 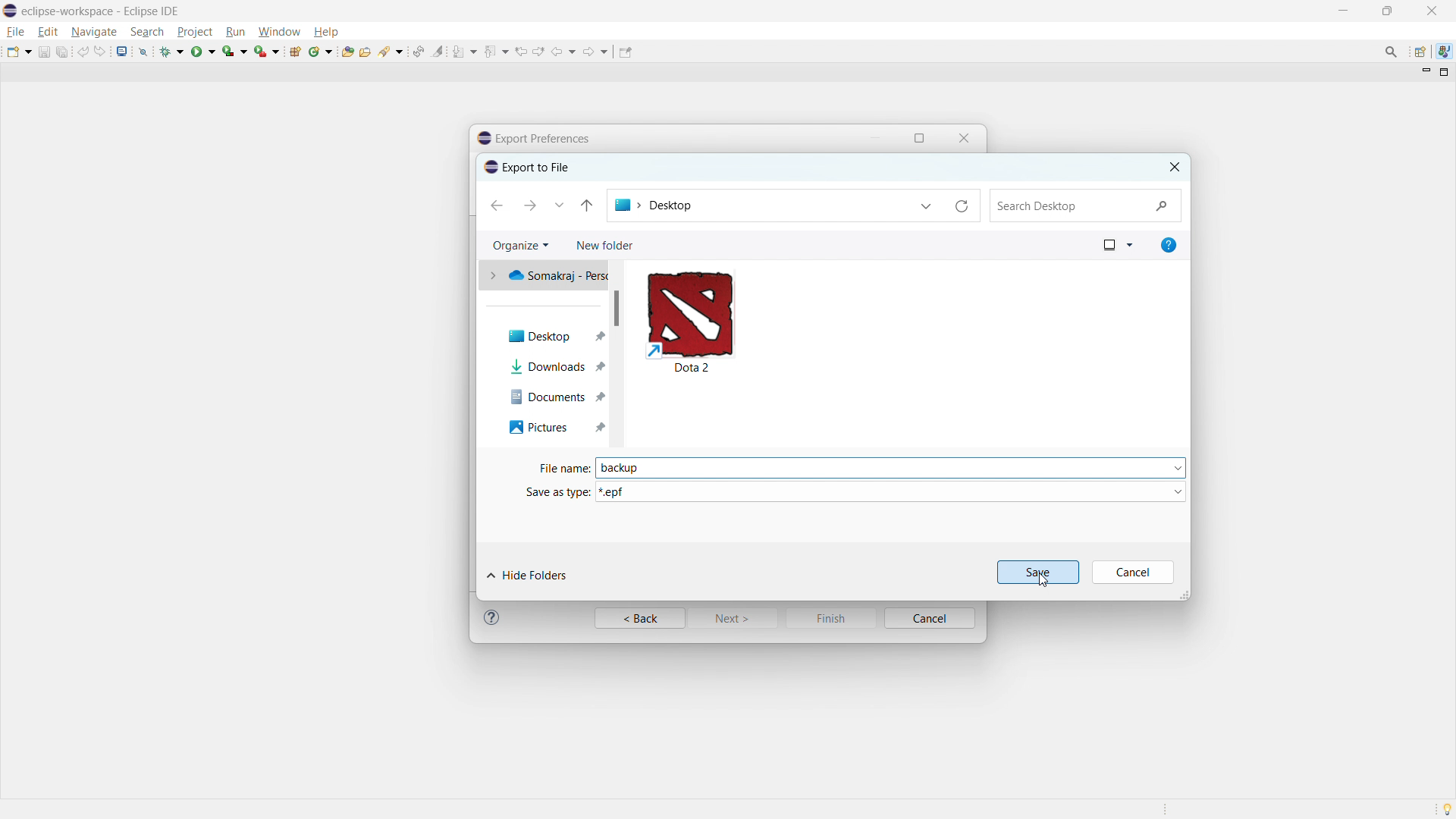 I want to click on new java package, so click(x=295, y=51).